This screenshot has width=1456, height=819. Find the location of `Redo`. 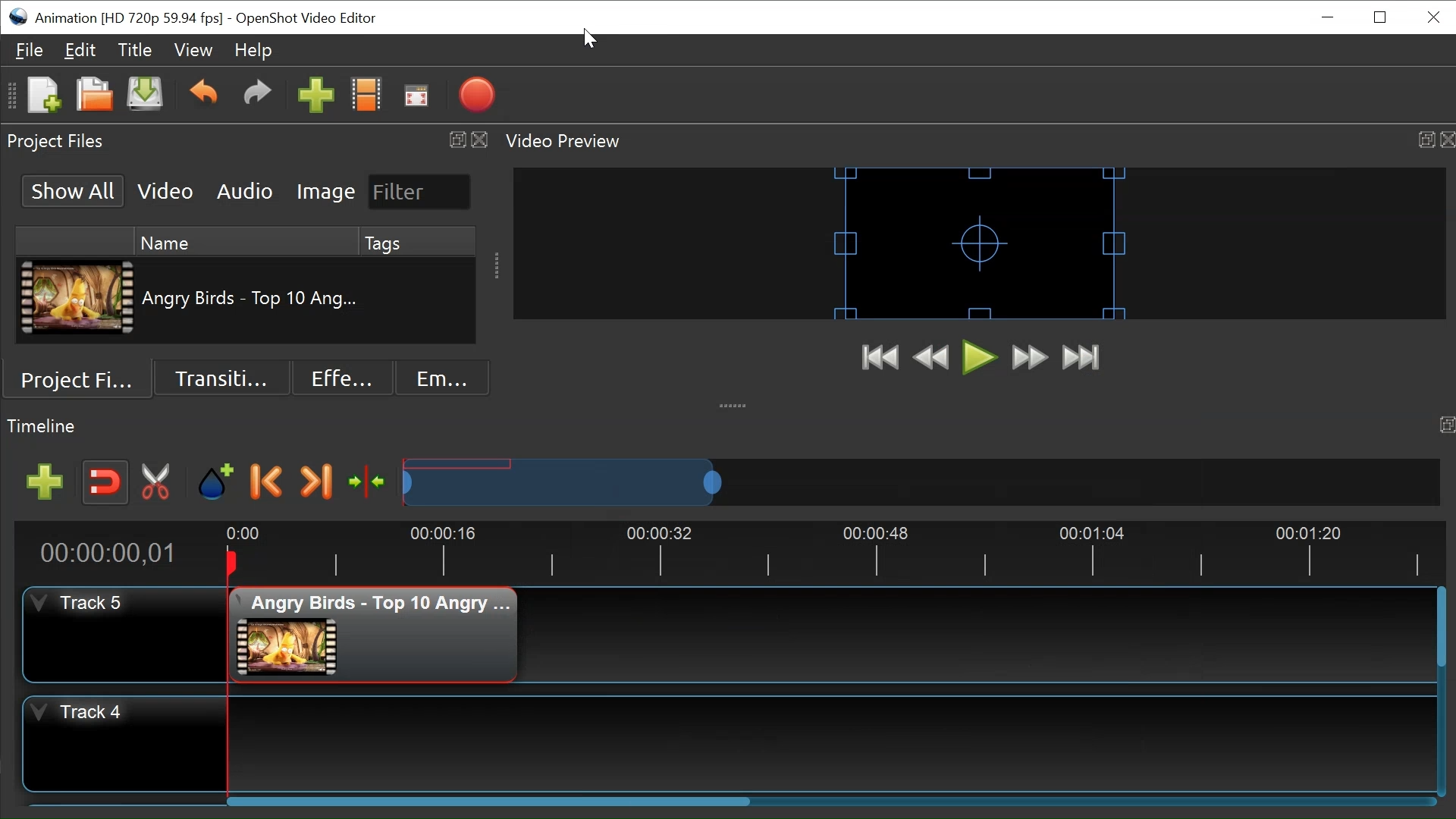

Redo is located at coordinates (256, 96).